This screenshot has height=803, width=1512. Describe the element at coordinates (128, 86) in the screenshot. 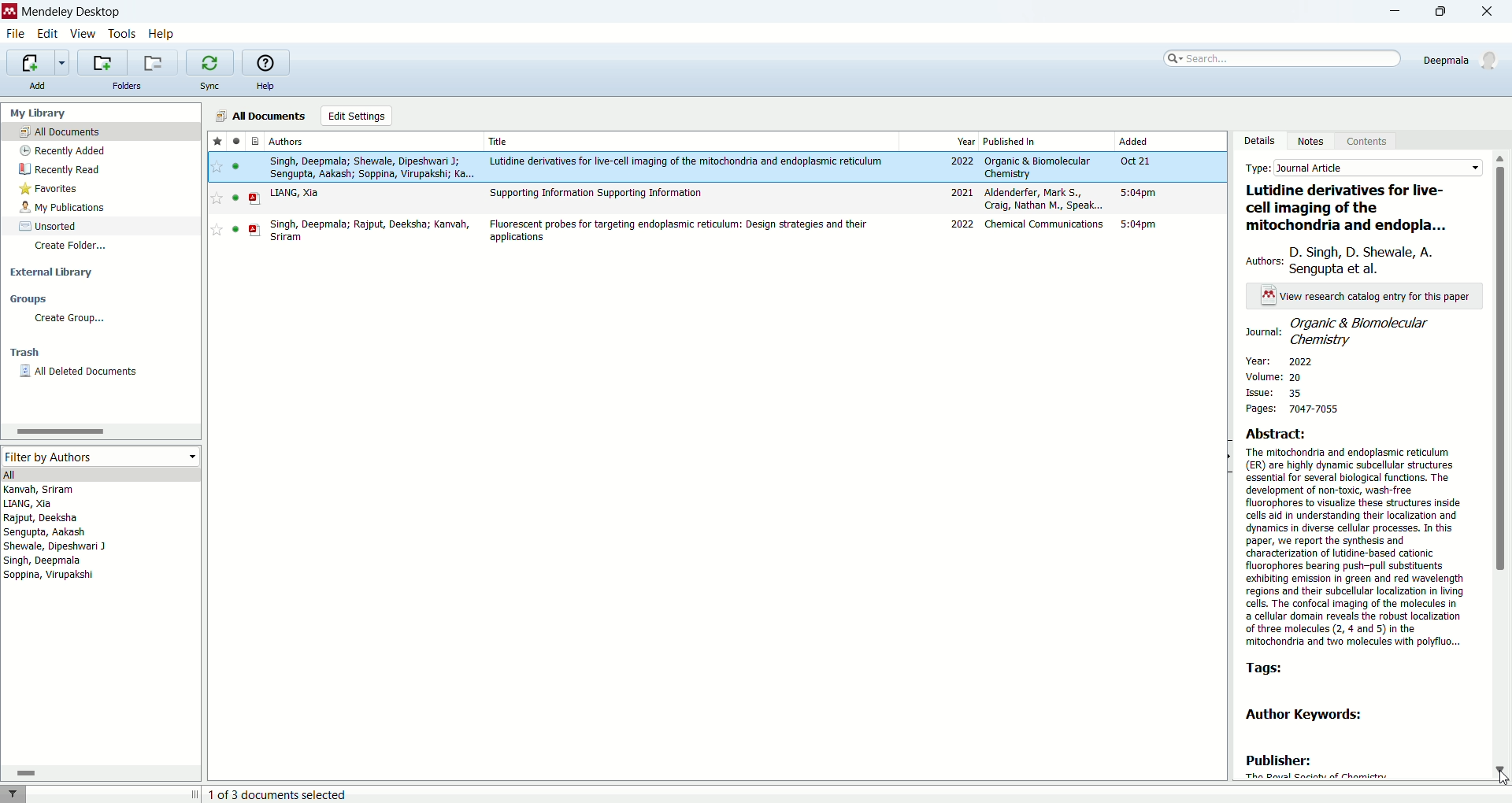

I see `folders` at that location.